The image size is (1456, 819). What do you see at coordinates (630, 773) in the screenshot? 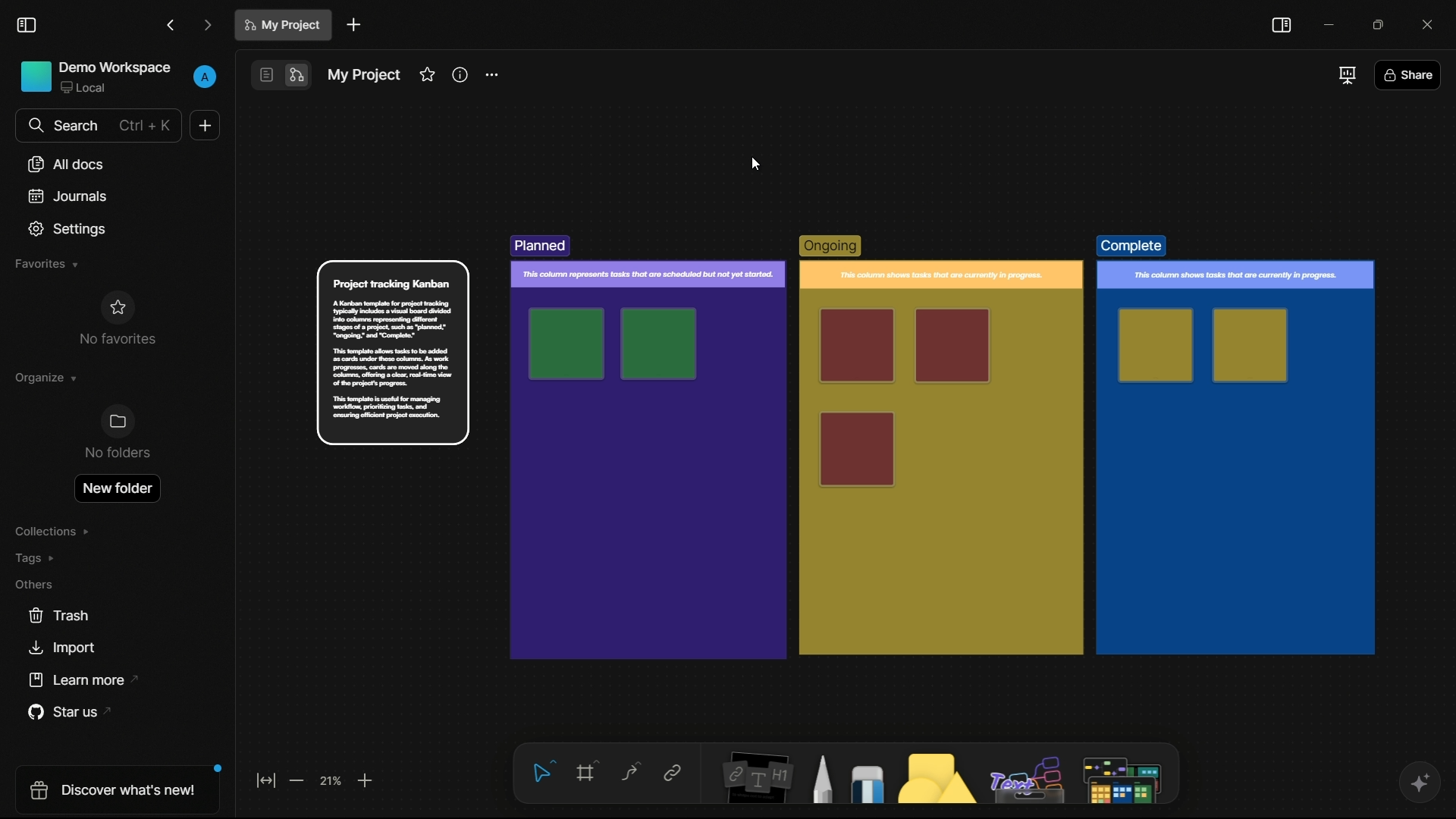
I see `connectors` at bounding box center [630, 773].